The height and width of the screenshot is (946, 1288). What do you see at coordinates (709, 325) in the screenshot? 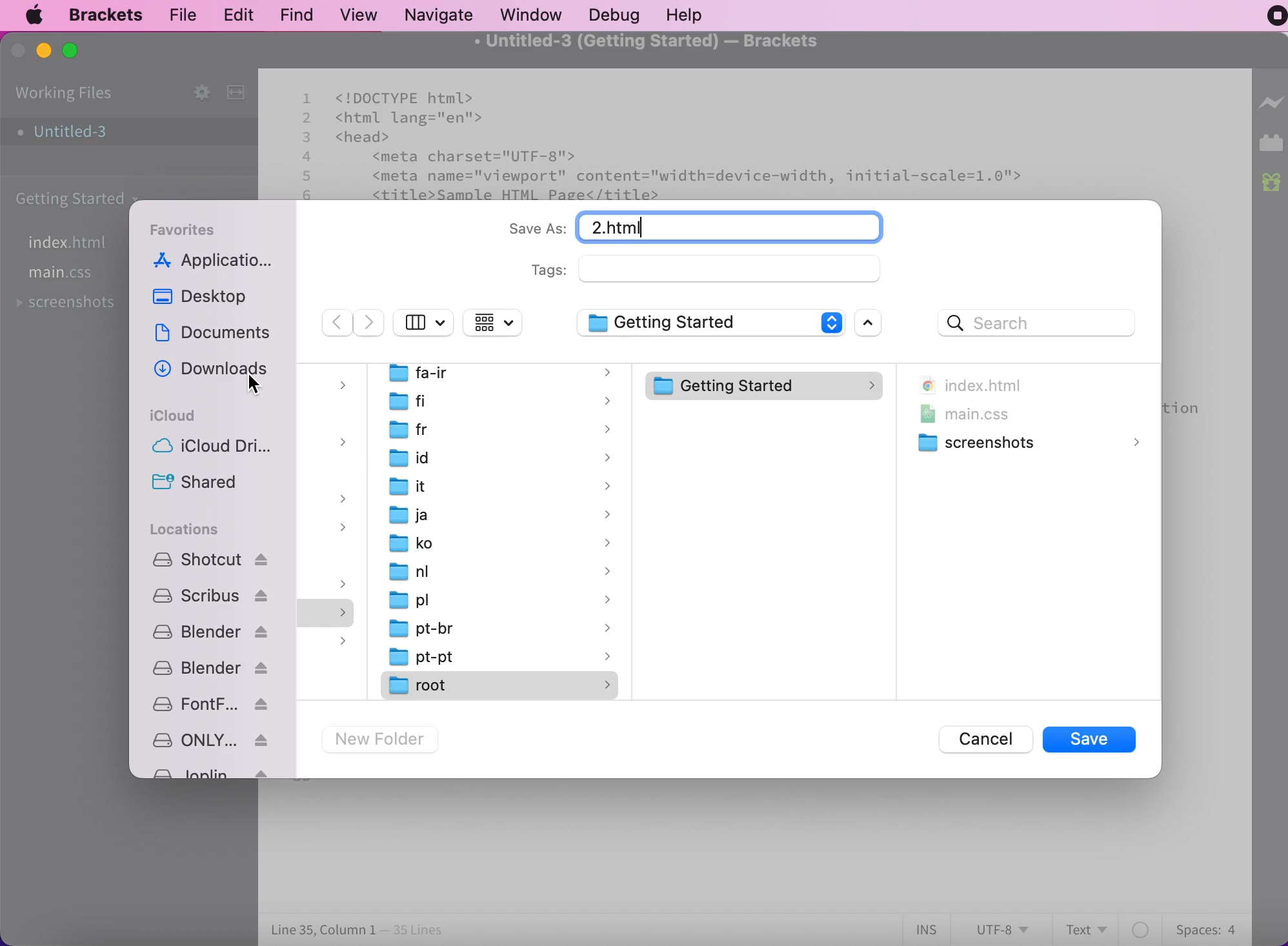
I see `getting started` at bounding box center [709, 325].